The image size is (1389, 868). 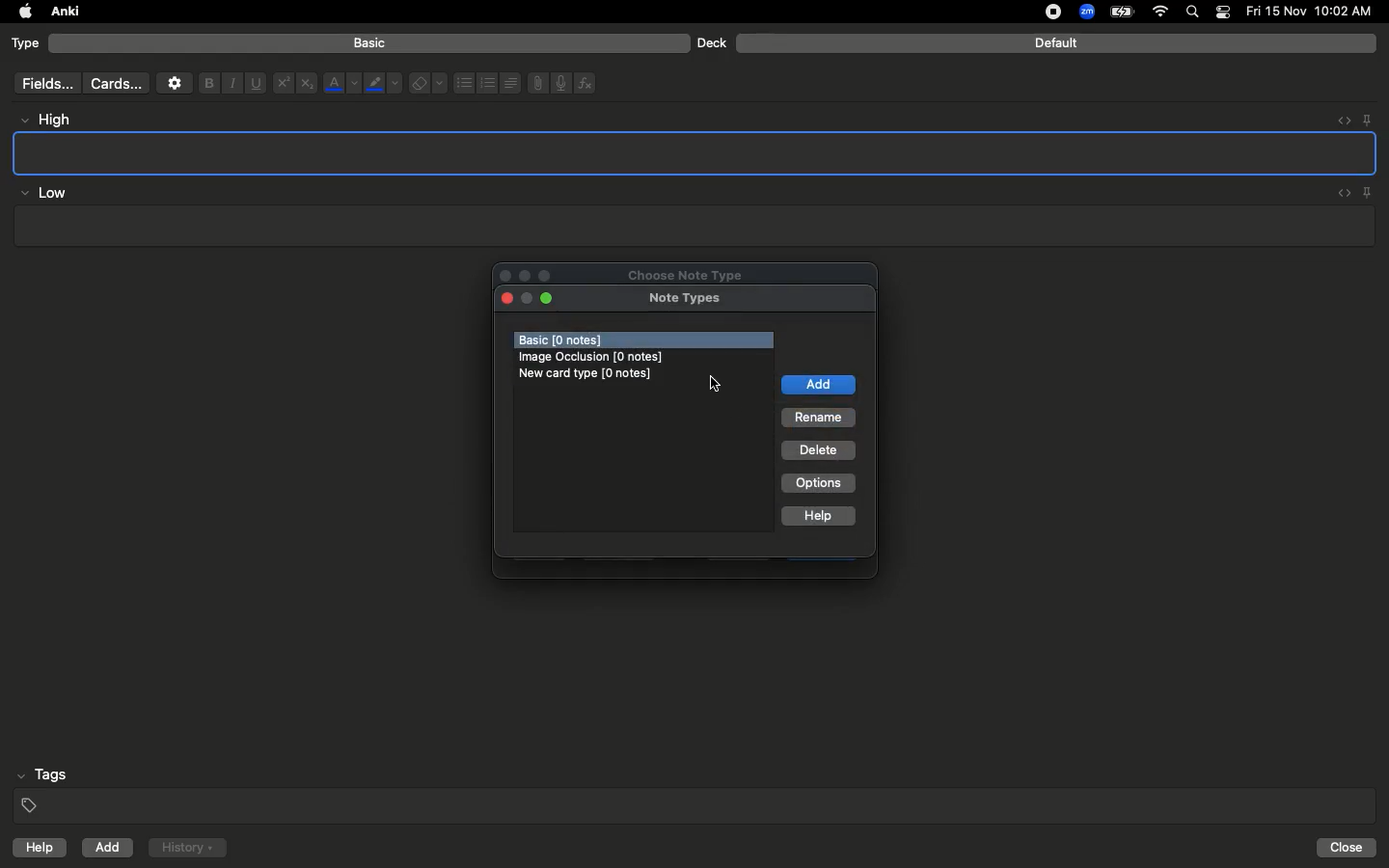 I want to click on Delete, so click(x=819, y=451).